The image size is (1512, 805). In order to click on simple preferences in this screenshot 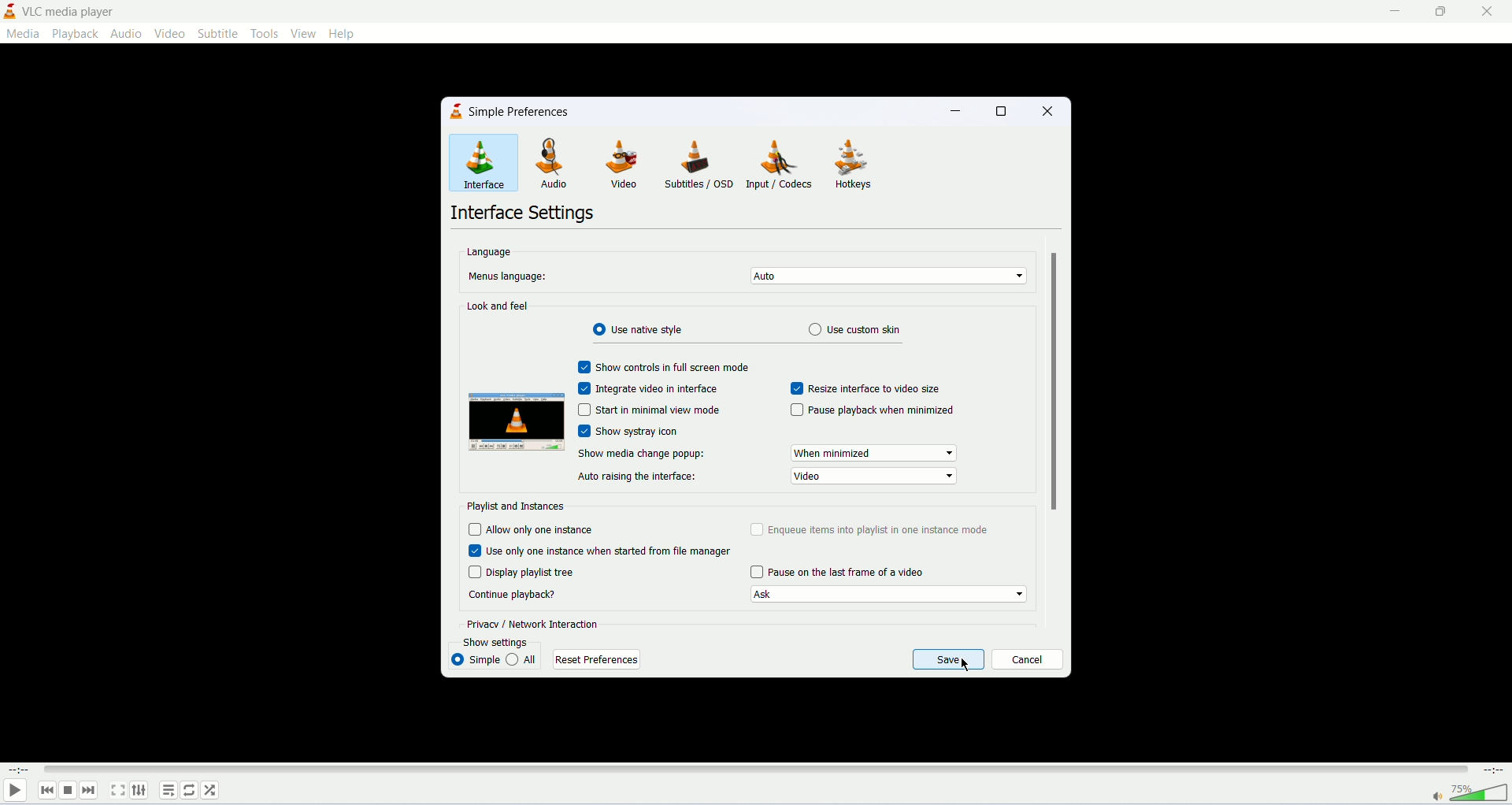, I will do `click(531, 113)`.